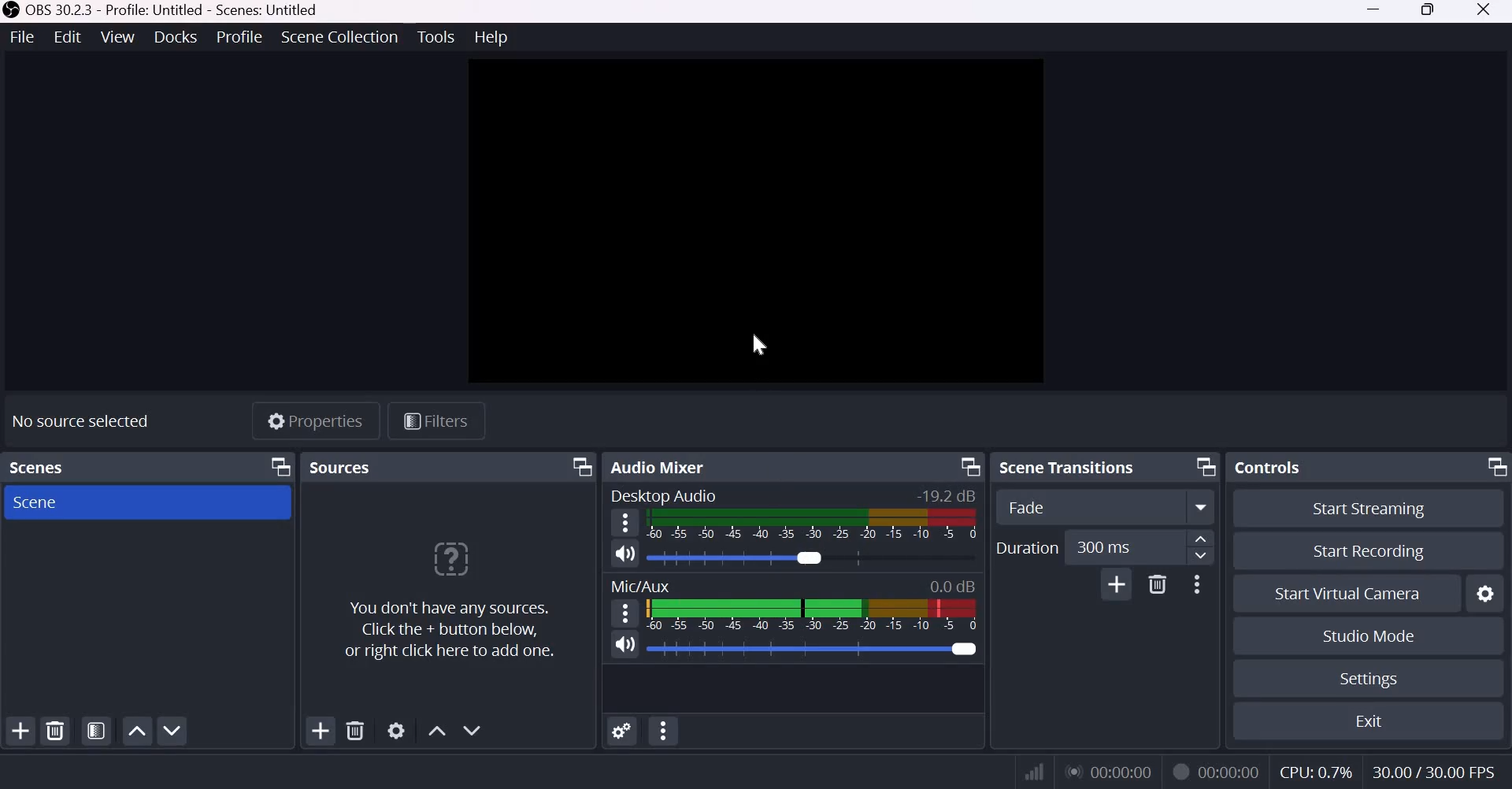 This screenshot has width=1512, height=789. What do you see at coordinates (1367, 551) in the screenshot?
I see `Start recording` at bounding box center [1367, 551].